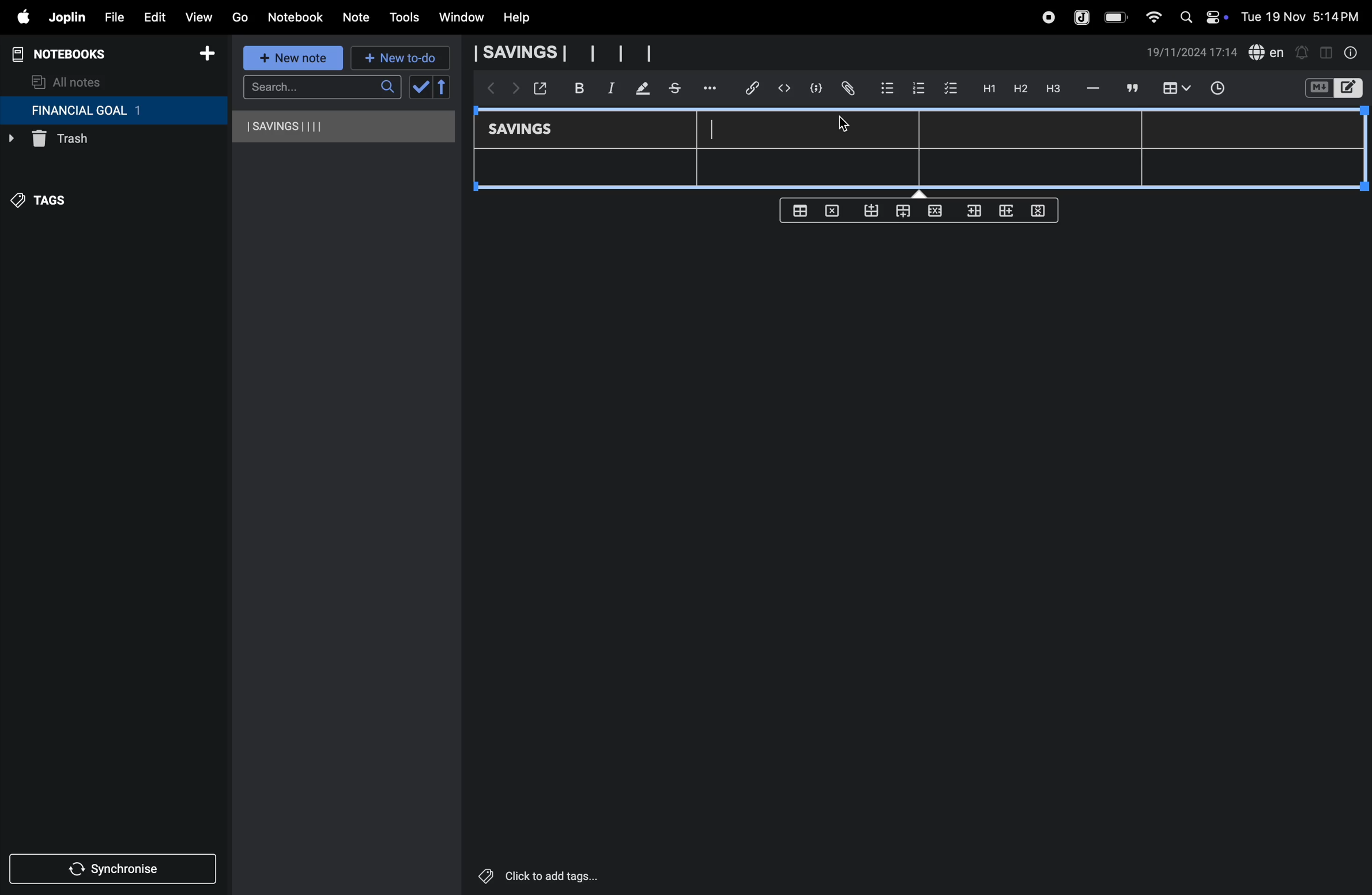 The height and width of the screenshot is (895, 1372). What do you see at coordinates (573, 88) in the screenshot?
I see `bold` at bounding box center [573, 88].